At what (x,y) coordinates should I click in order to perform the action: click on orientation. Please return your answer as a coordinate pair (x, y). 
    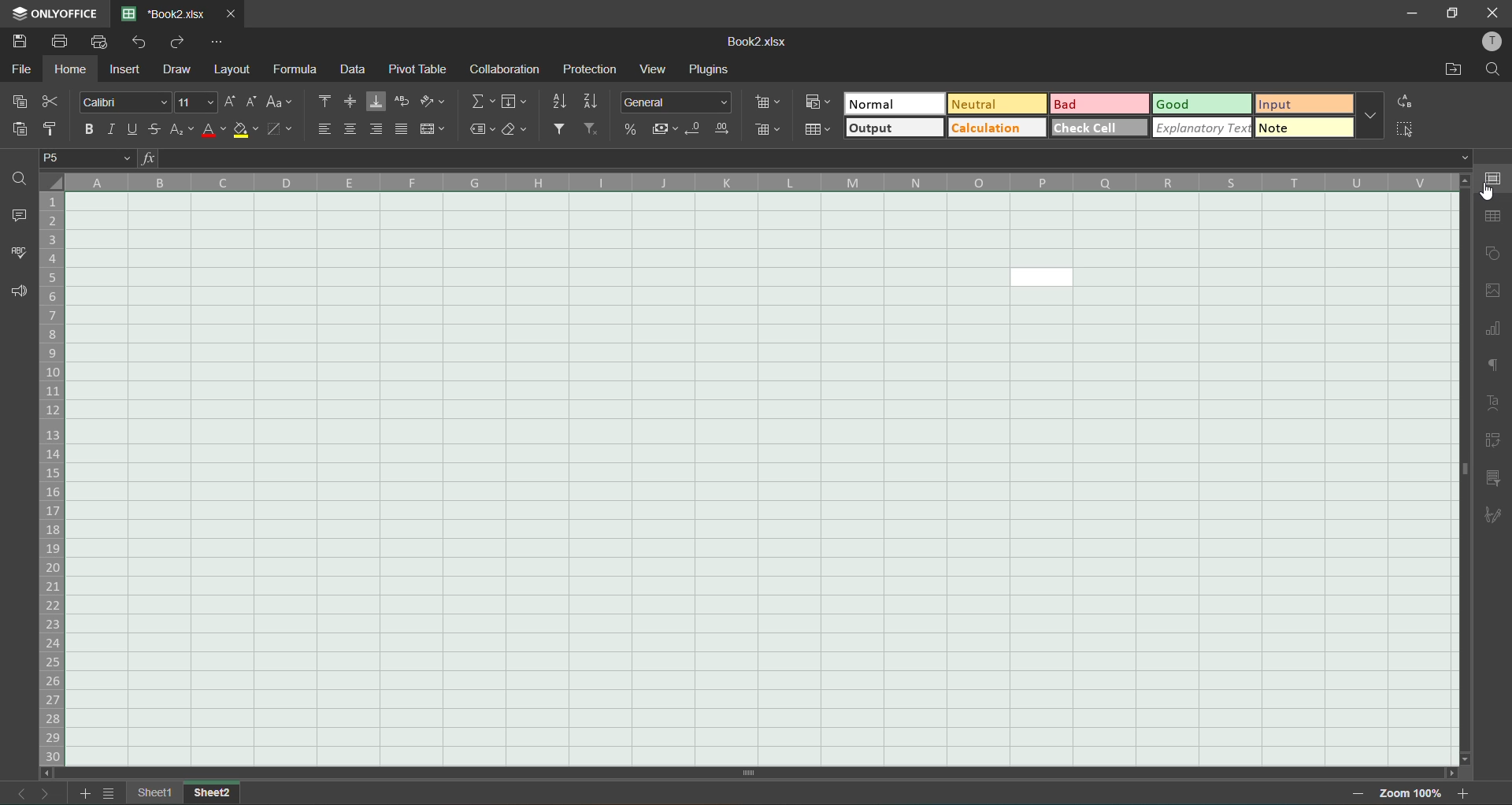
    Looking at the image, I should click on (432, 102).